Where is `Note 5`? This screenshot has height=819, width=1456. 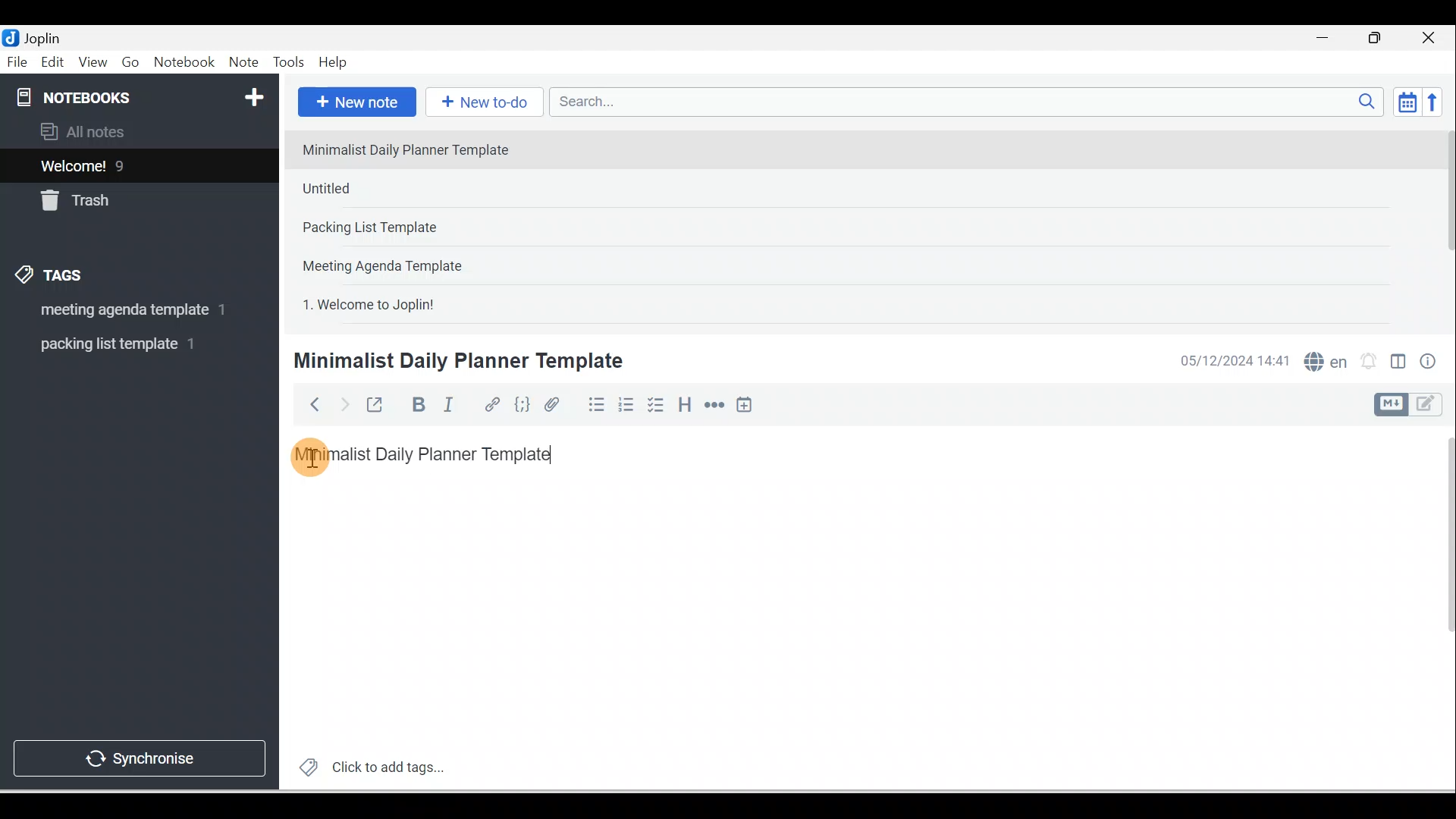
Note 5 is located at coordinates (424, 303).